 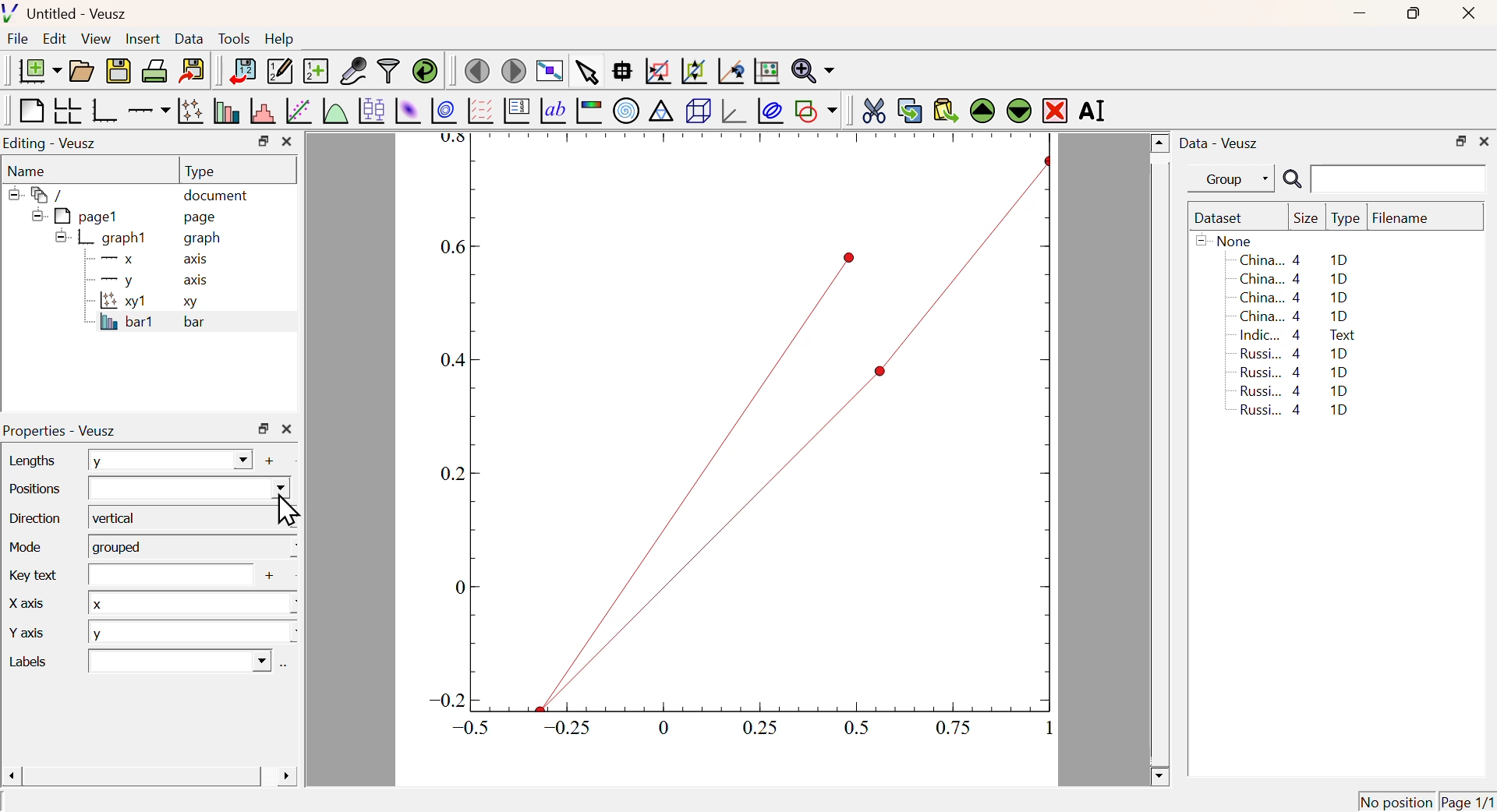 What do you see at coordinates (145, 302) in the screenshot?
I see `xy1 xy` at bounding box center [145, 302].